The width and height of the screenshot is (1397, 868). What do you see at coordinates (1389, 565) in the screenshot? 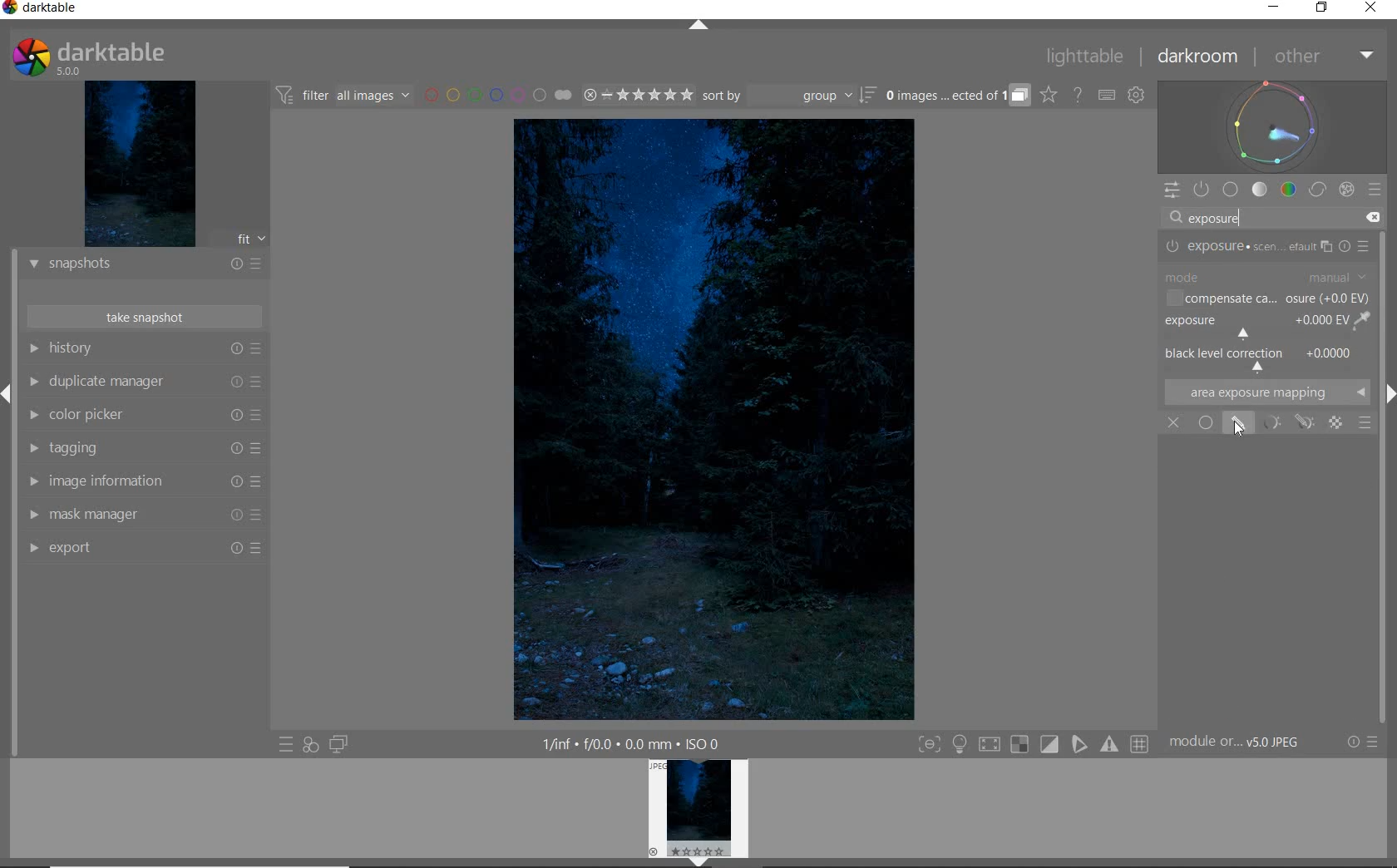
I see `Scrollbar` at bounding box center [1389, 565].